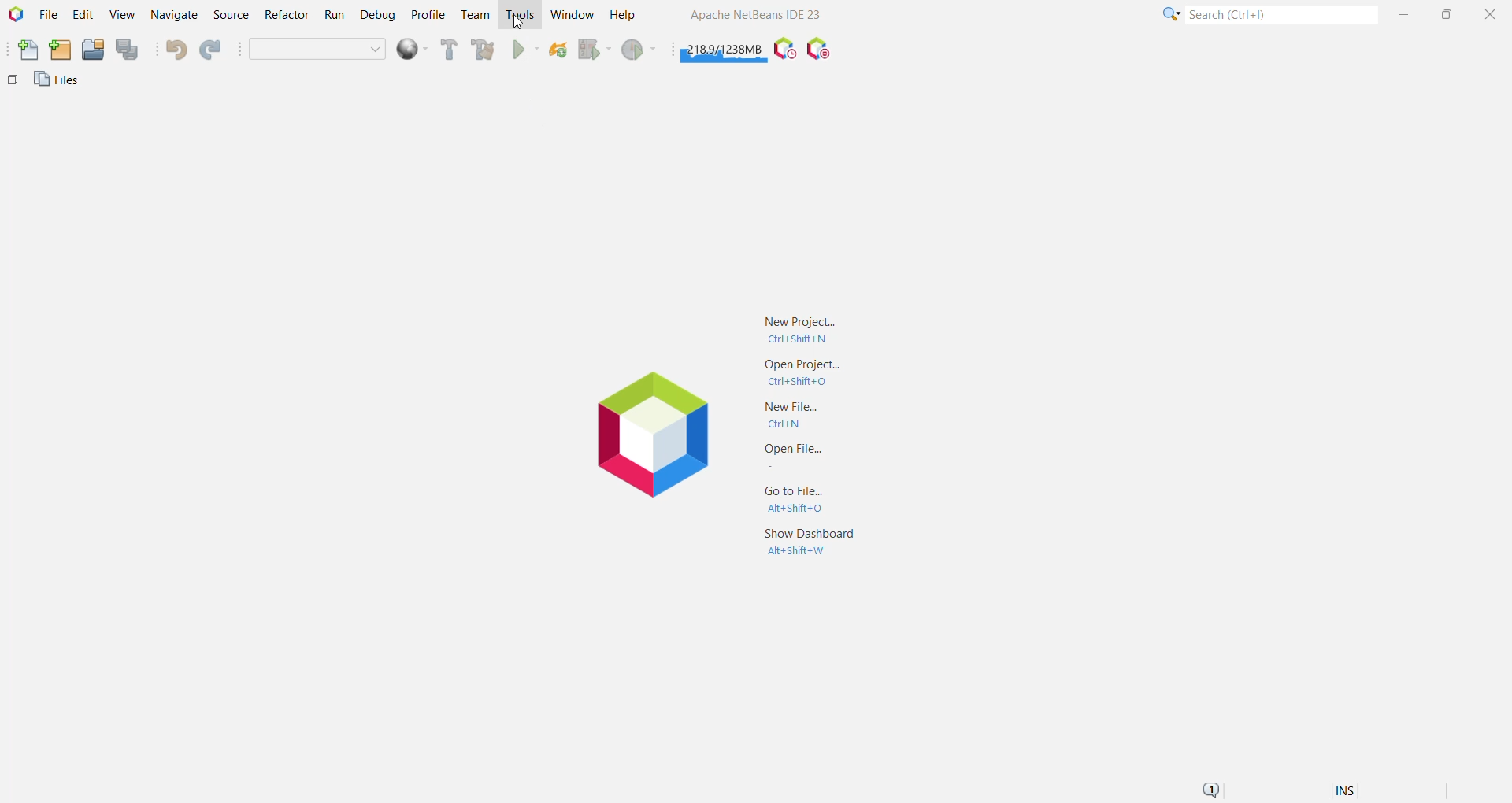 This screenshot has width=1512, height=803. Describe the element at coordinates (318, 50) in the screenshot. I see `Set Project Configuration` at that location.